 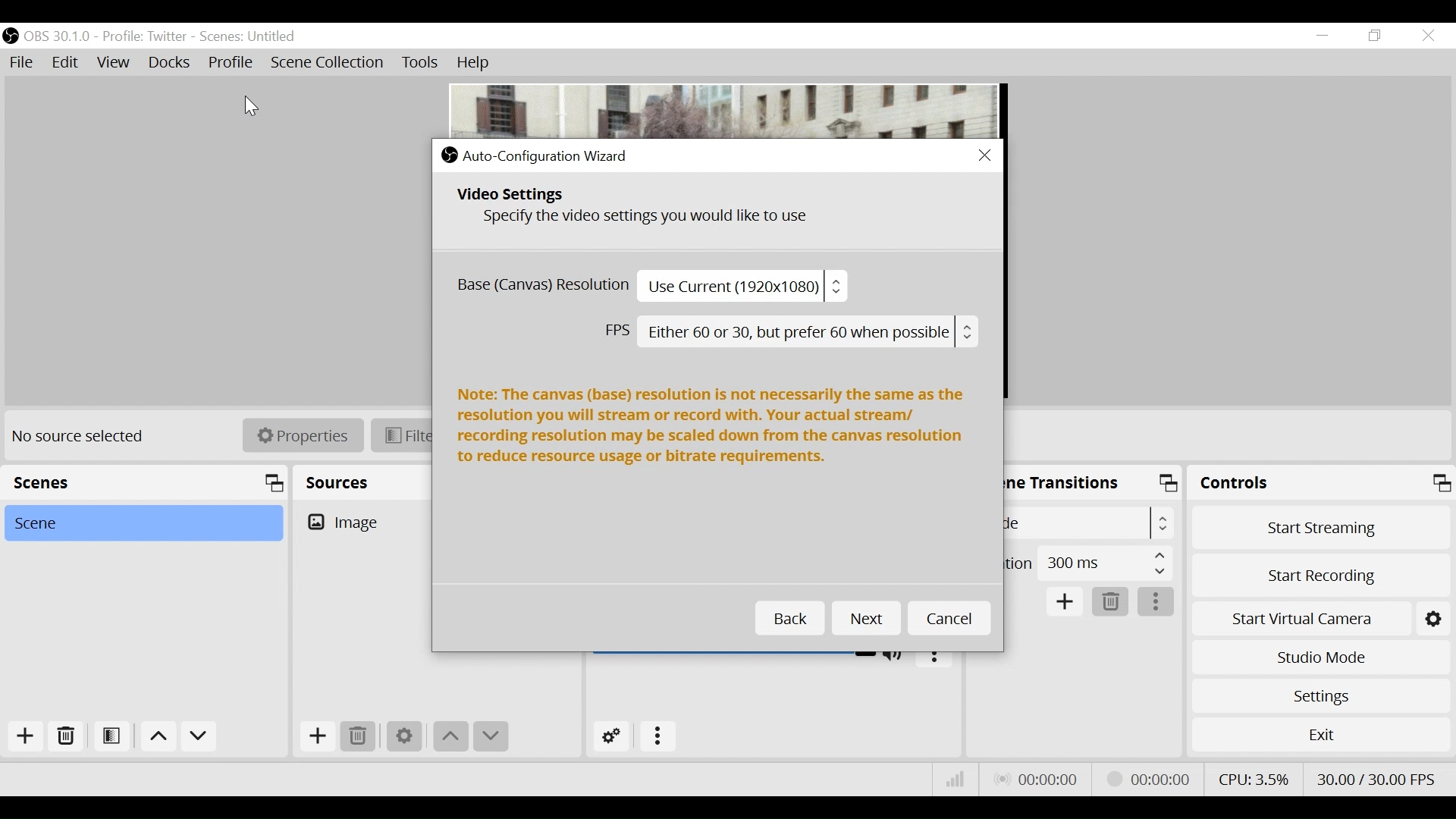 I want to click on Close, so click(x=981, y=155).